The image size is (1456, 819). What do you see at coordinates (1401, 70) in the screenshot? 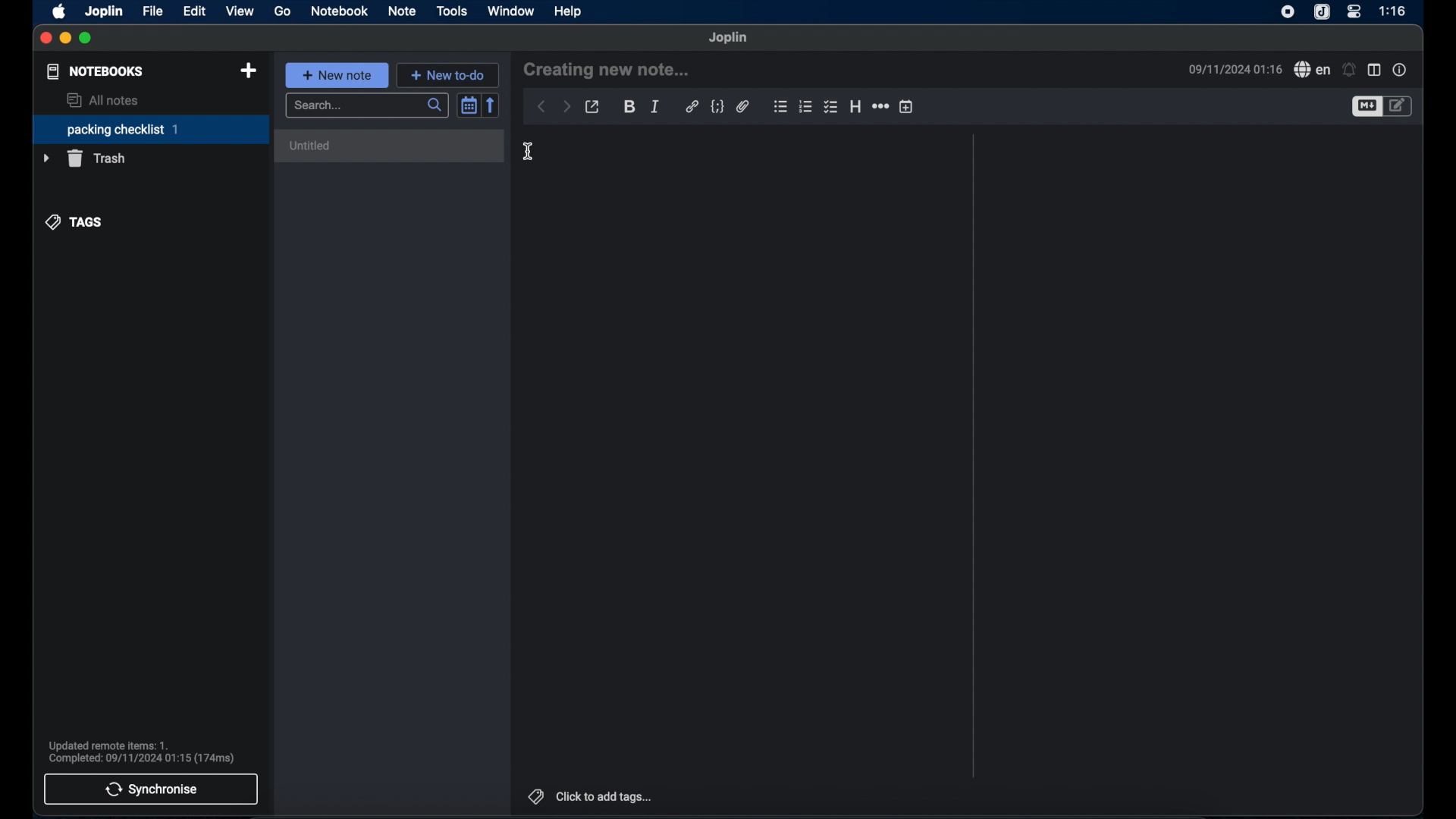
I see `note properties` at bounding box center [1401, 70].